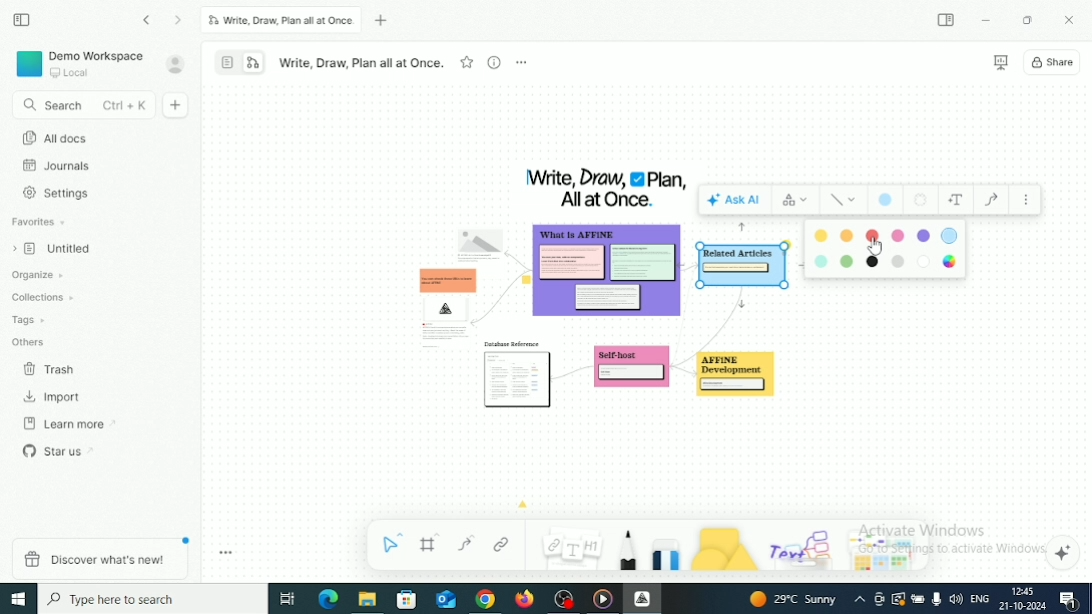  What do you see at coordinates (860, 600) in the screenshot?
I see `Show hidden icons` at bounding box center [860, 600].